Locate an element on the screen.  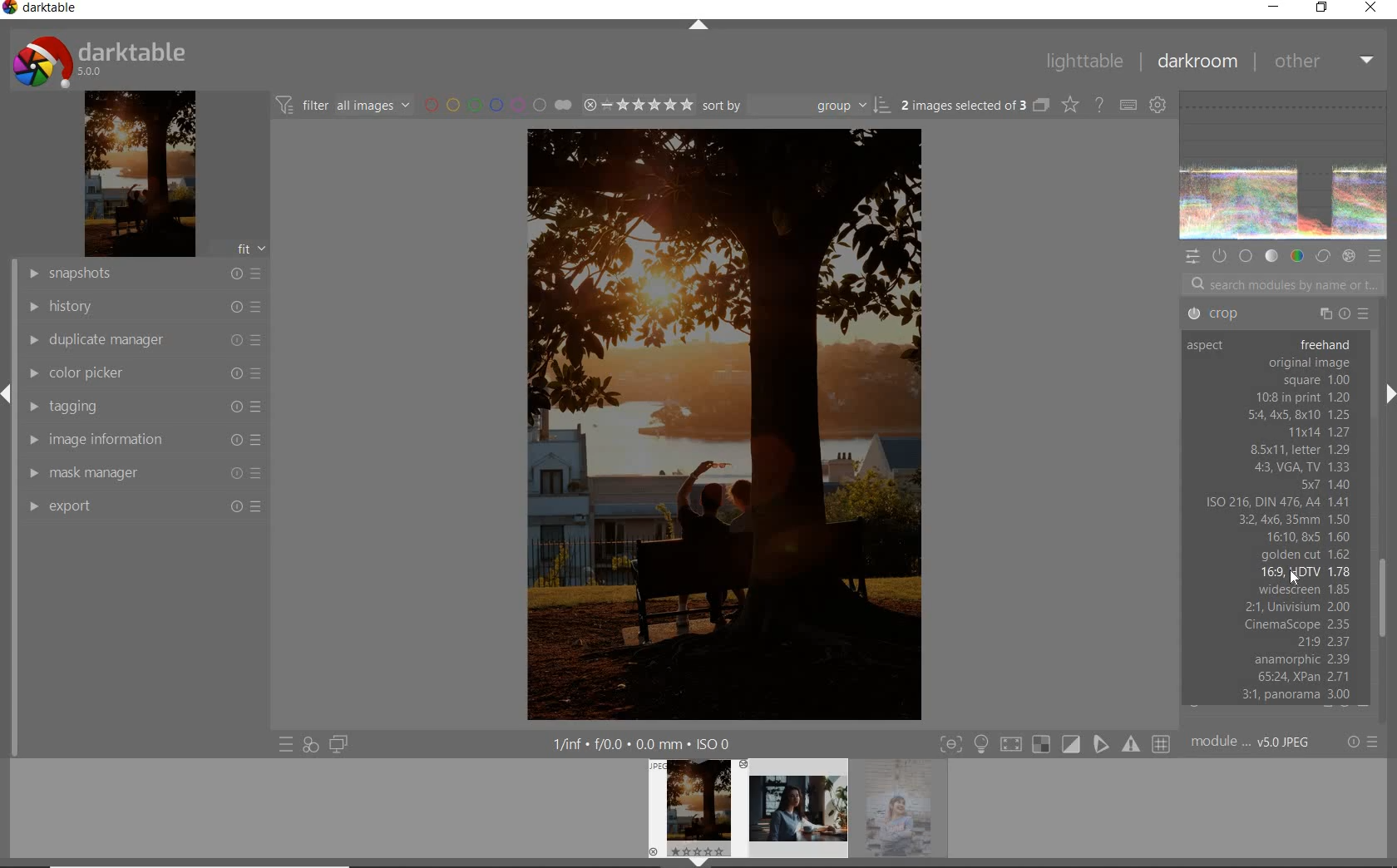
quick access panel is located at coordinates (1192, 259).